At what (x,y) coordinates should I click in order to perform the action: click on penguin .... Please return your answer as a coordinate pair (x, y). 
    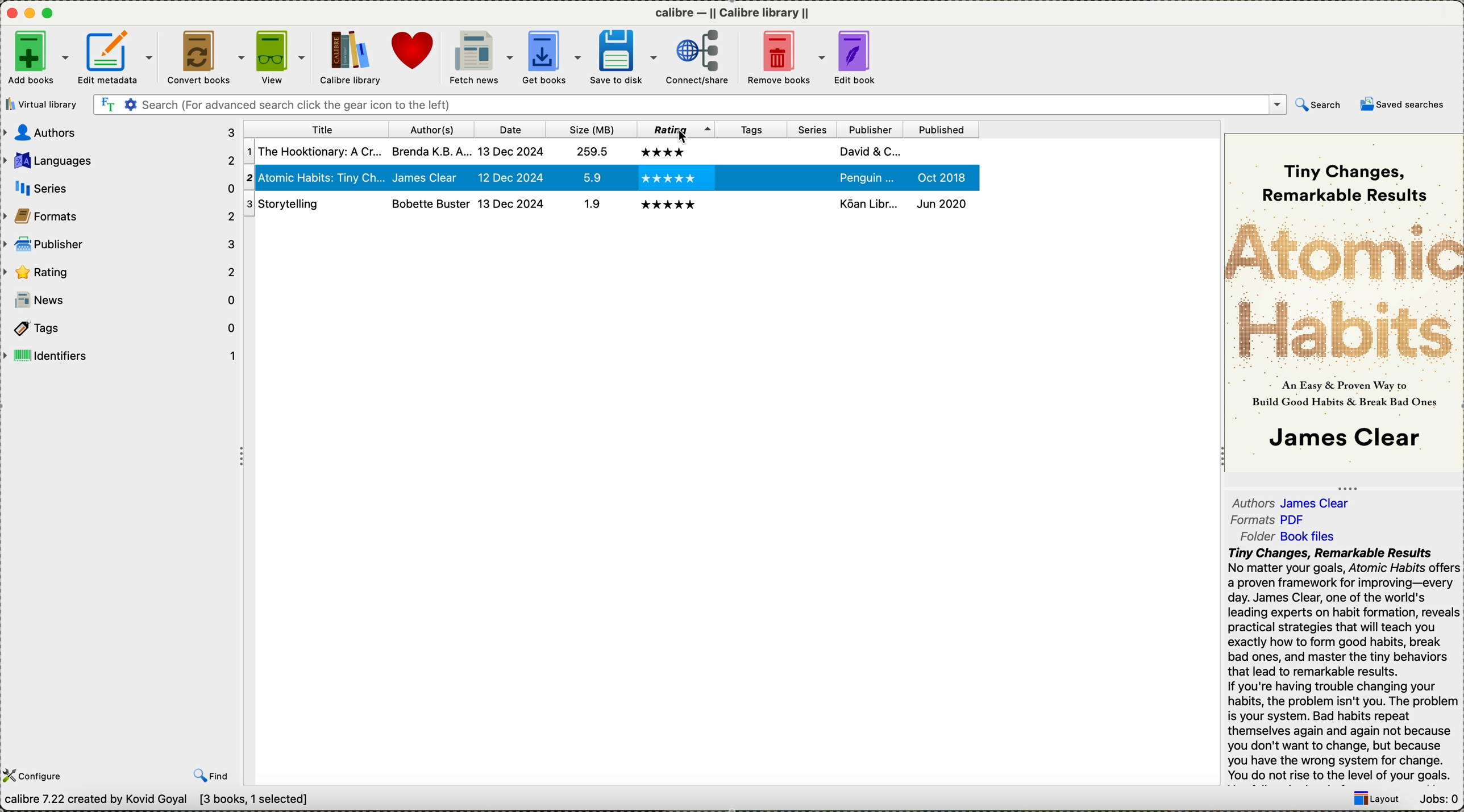
    Looking at the image, I should click on (868, 151).